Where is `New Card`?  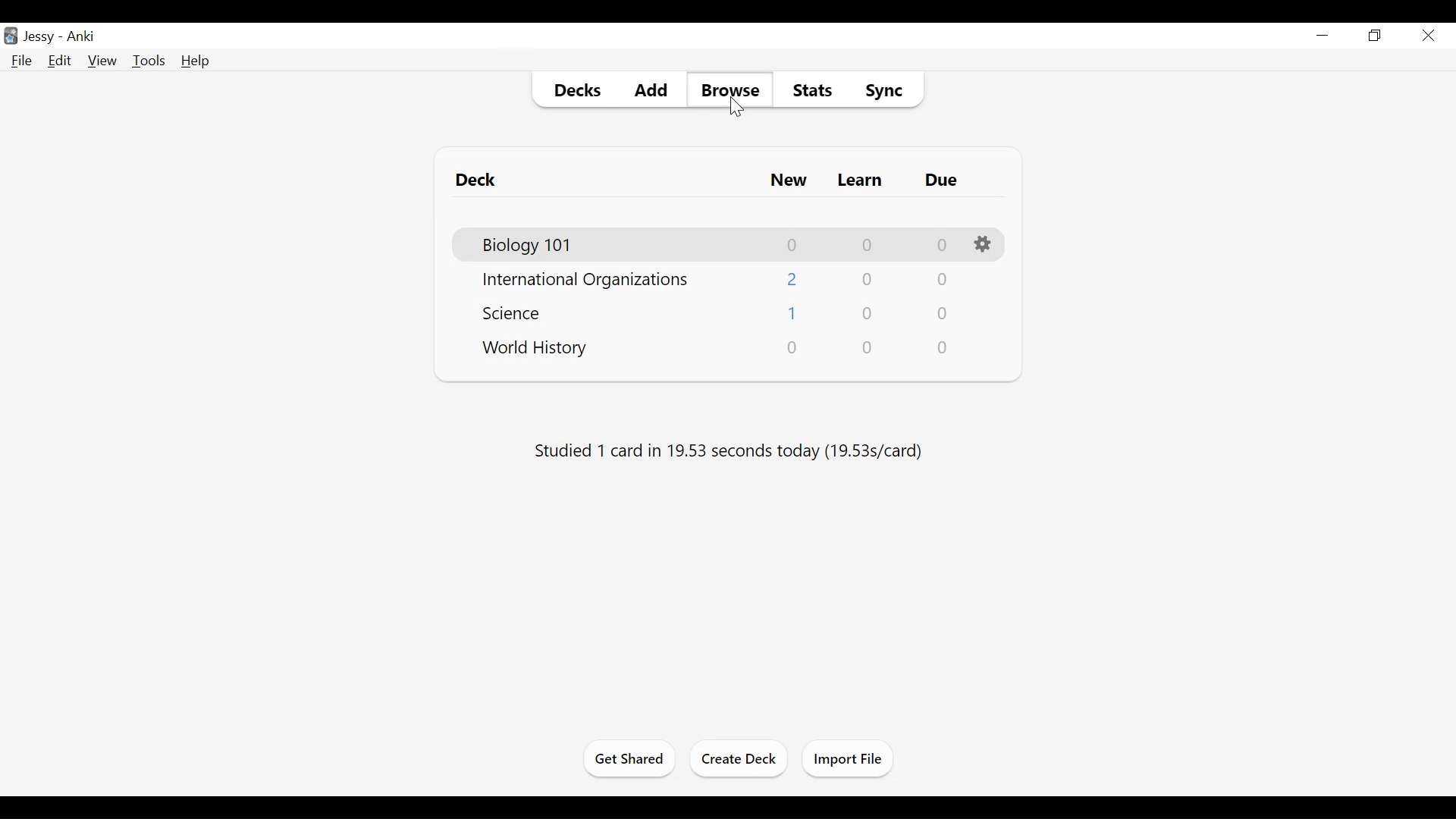 New Card is located at coordinates (789, 180).